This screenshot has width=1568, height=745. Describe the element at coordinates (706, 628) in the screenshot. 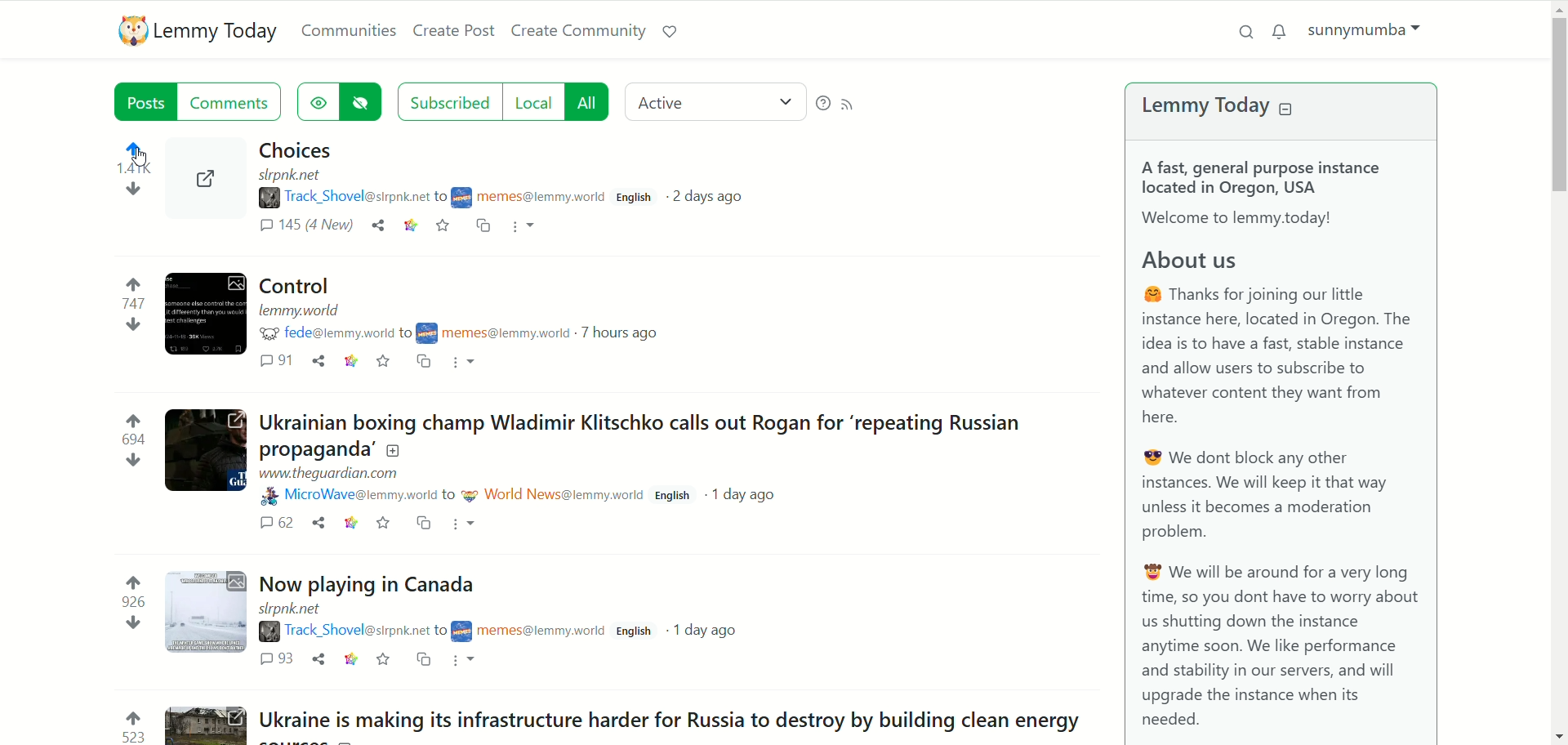

I see `1day ago` at that location.